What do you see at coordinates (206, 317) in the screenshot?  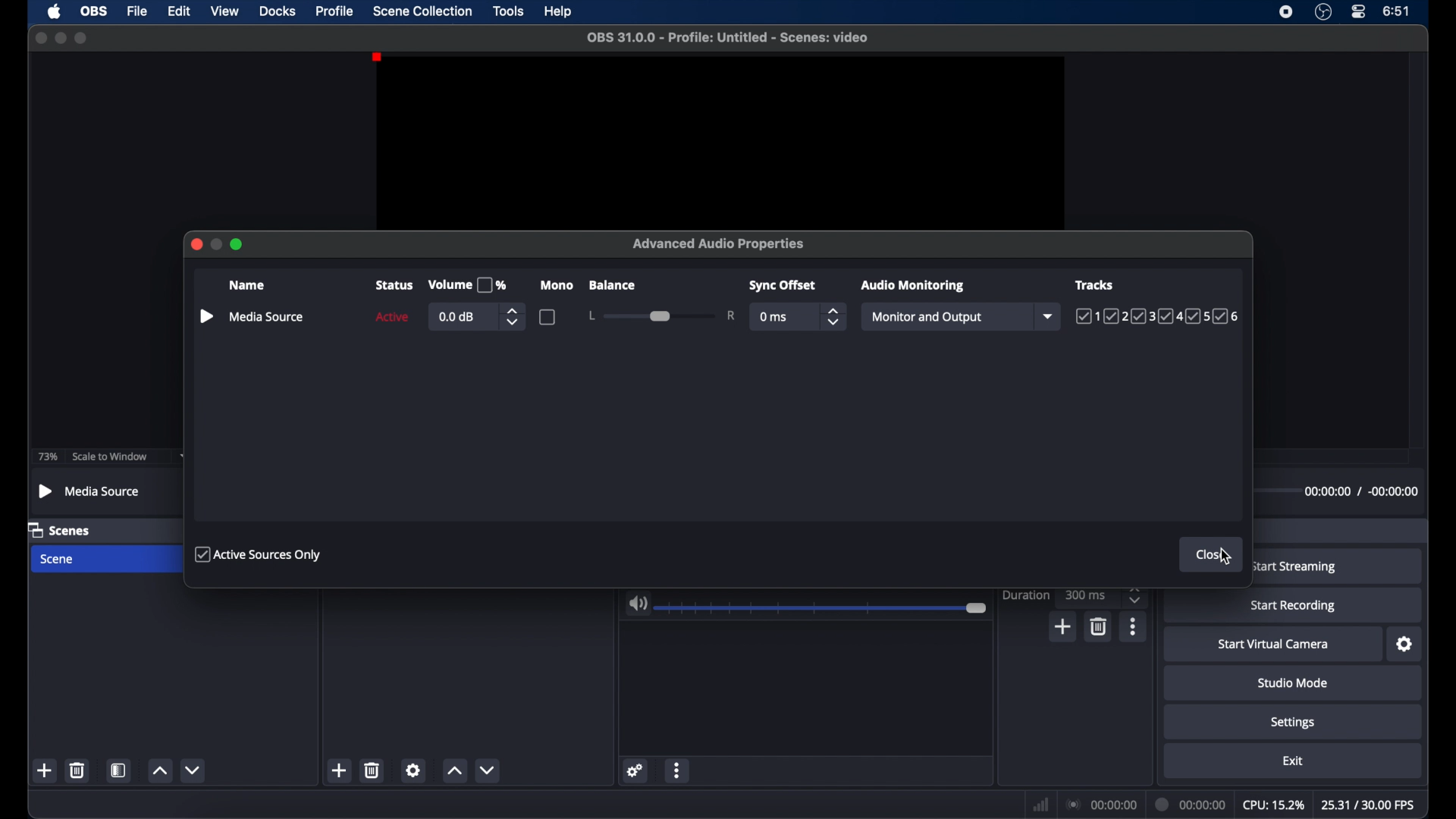 I see `play` at bounding box center [206, 317].